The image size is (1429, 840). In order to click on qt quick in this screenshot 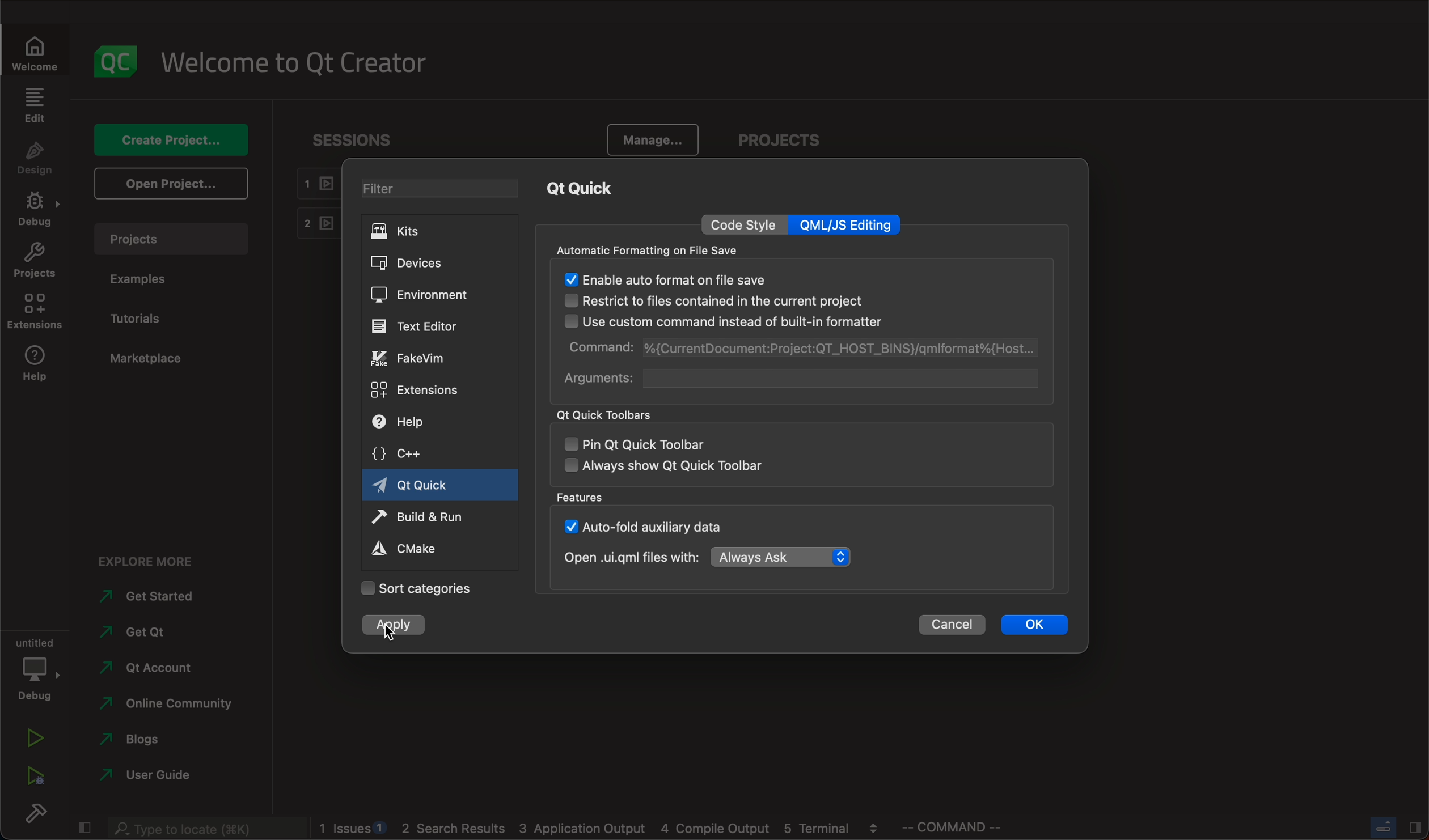, I will do `click(584, 188)`.